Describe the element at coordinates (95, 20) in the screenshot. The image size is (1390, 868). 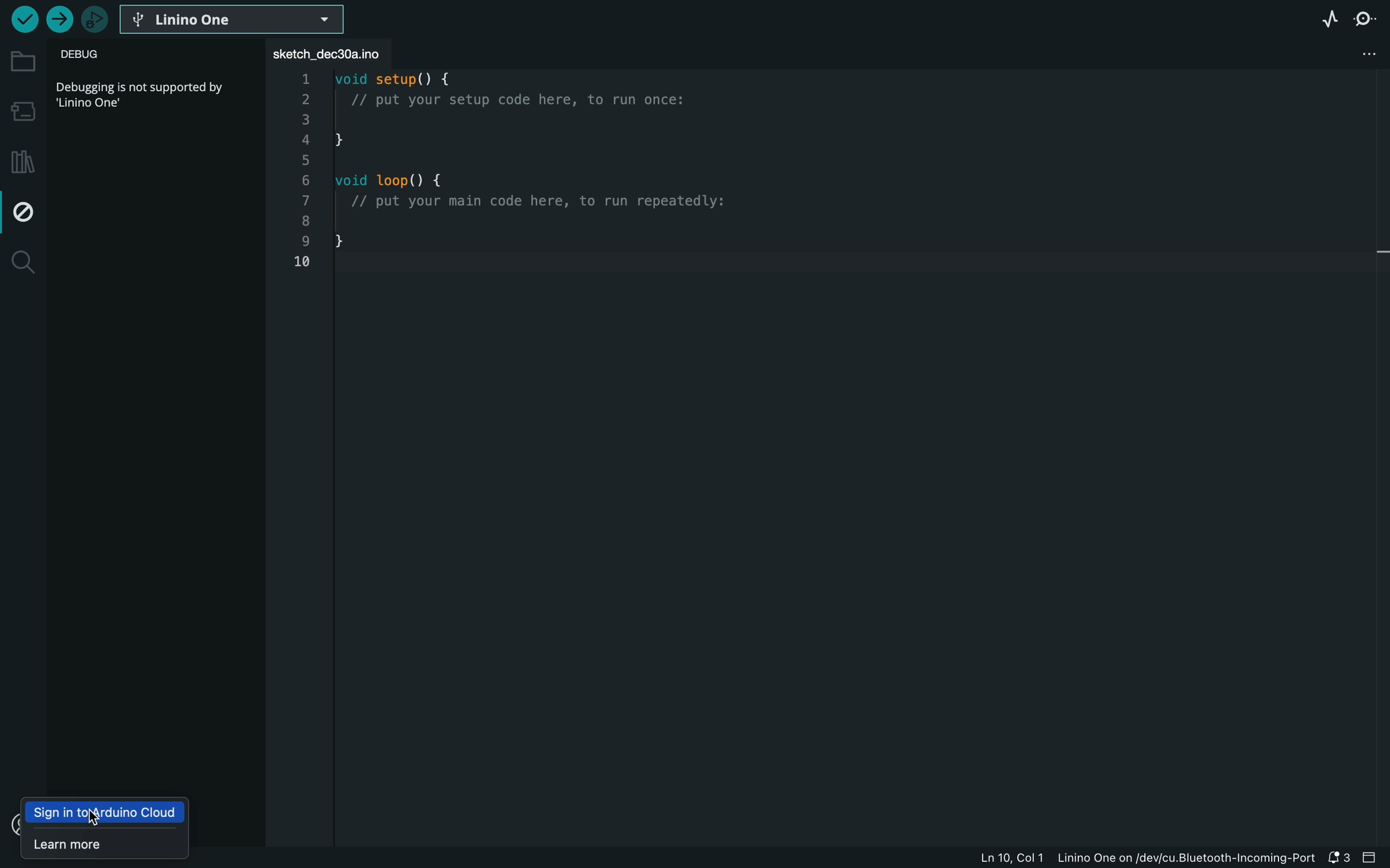
I see `debugger` at that location.